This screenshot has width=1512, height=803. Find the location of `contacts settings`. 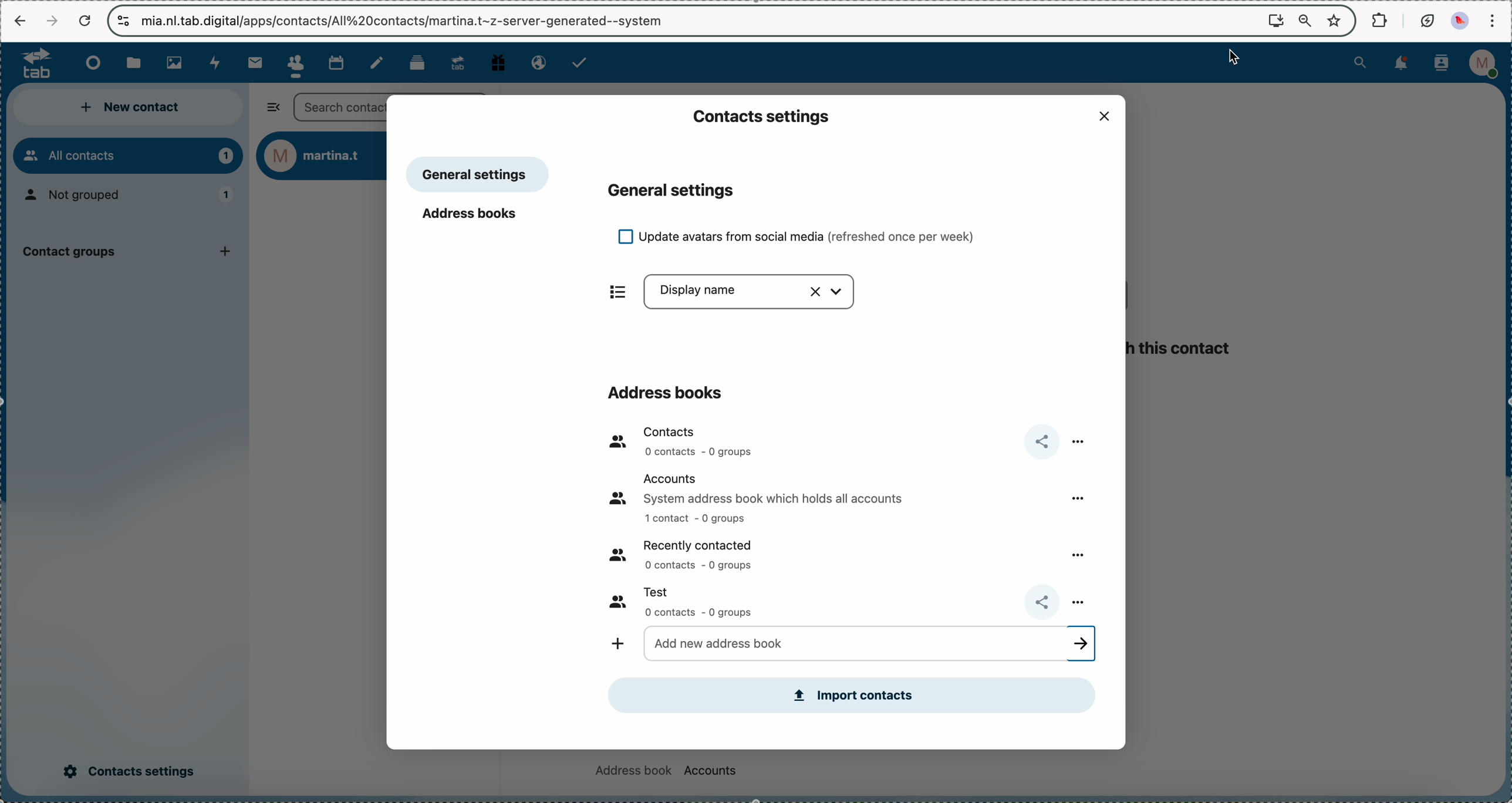

contacts settings is located at coordinates (761, 117).